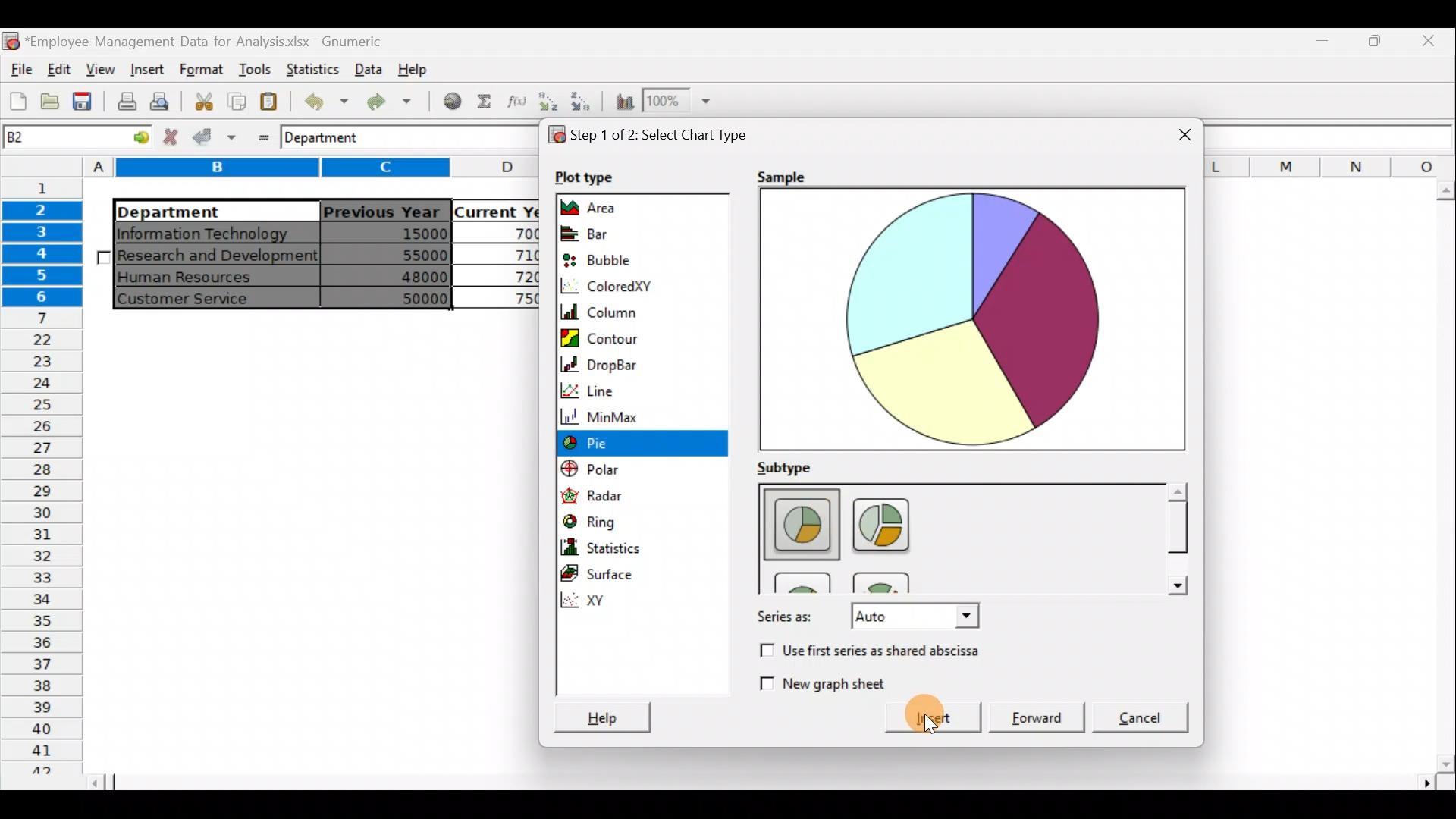 This screenshot has width=1456, height=819. What do you see at coordinates (780, 177) in the screenshot?
I see `Sample` at bounding box center [780, 177].